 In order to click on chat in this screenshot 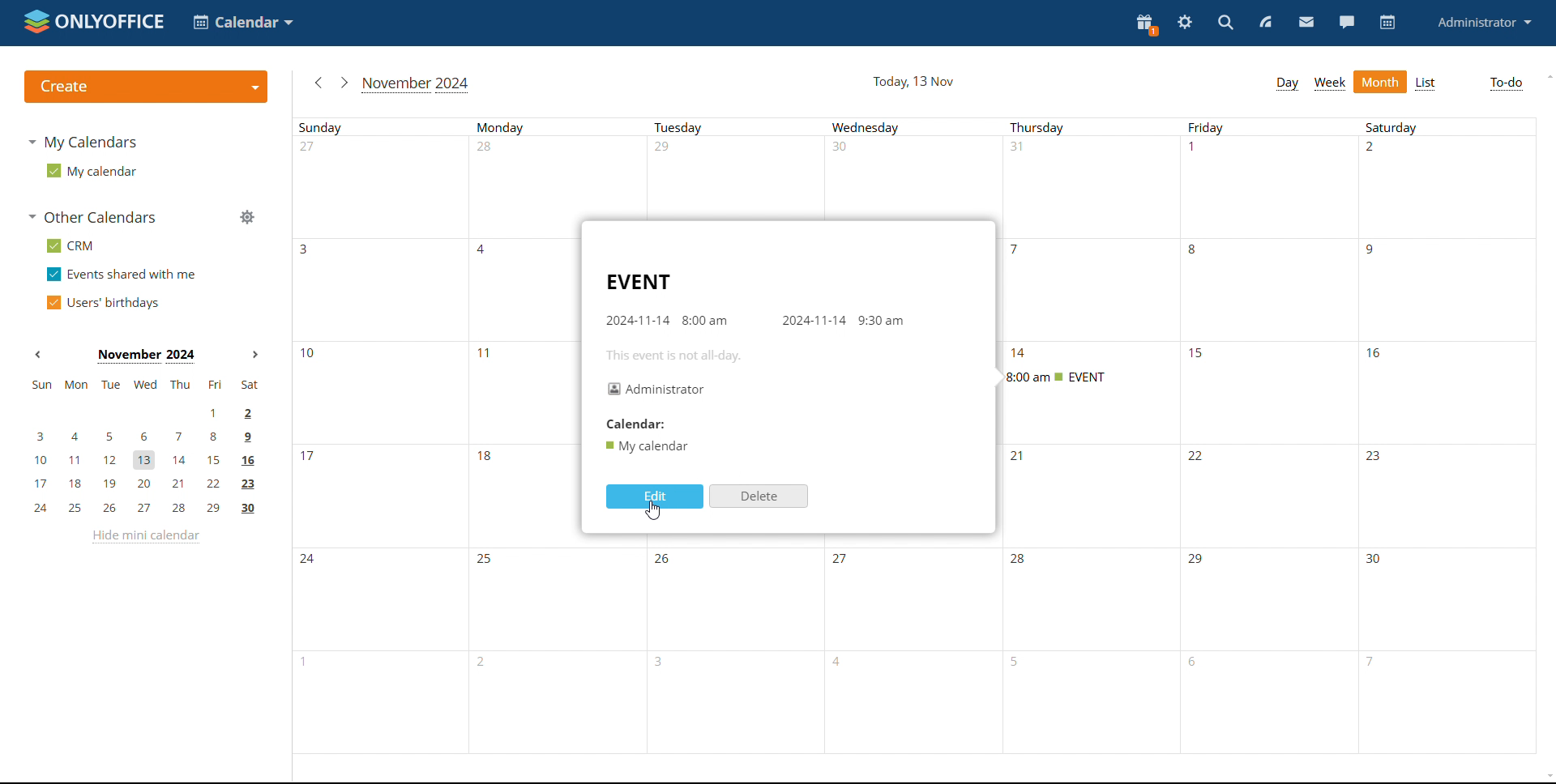, I will do `click(1346, 23)`.